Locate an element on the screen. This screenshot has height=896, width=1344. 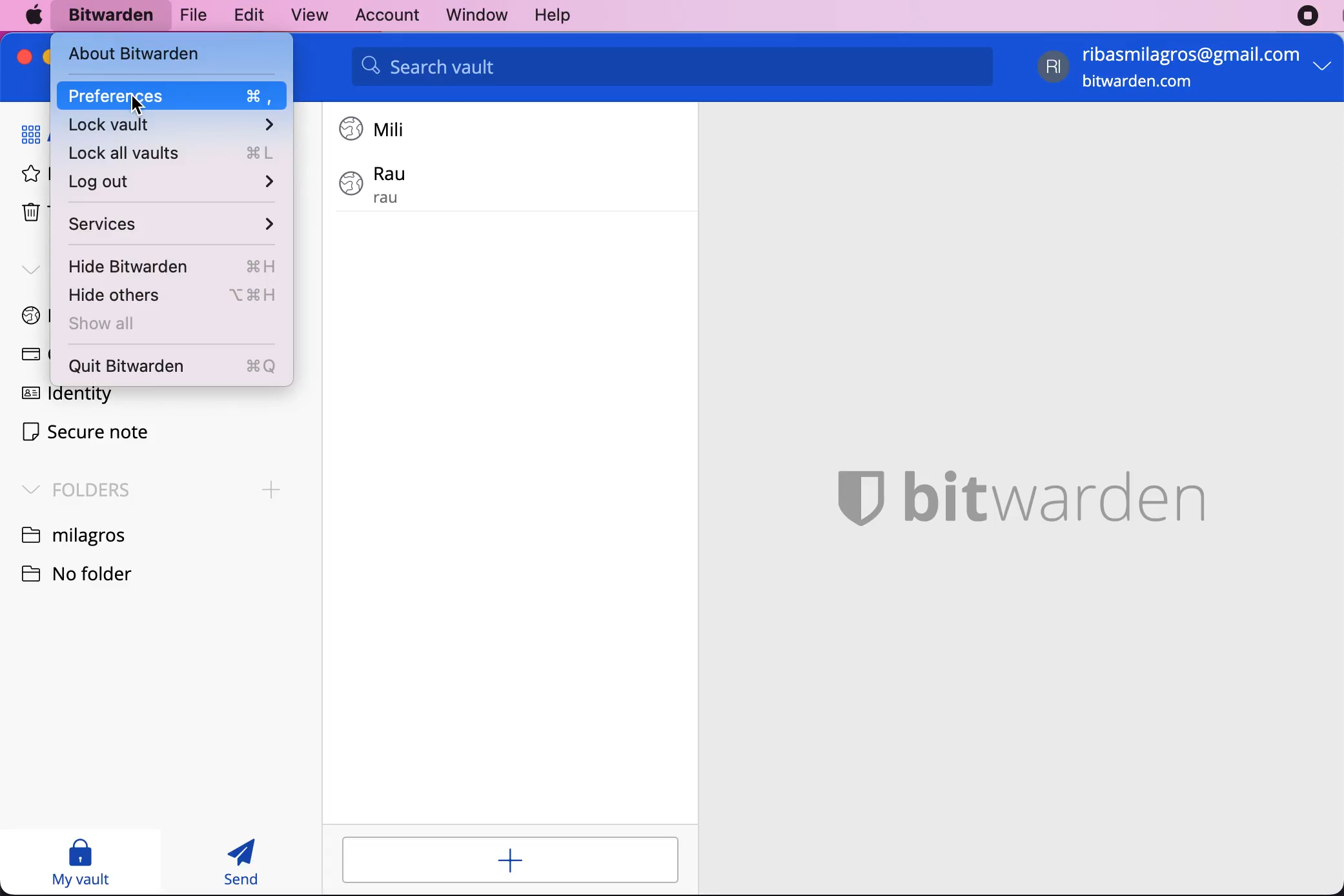
quit bitwarden is located at coordinates (176, 367).